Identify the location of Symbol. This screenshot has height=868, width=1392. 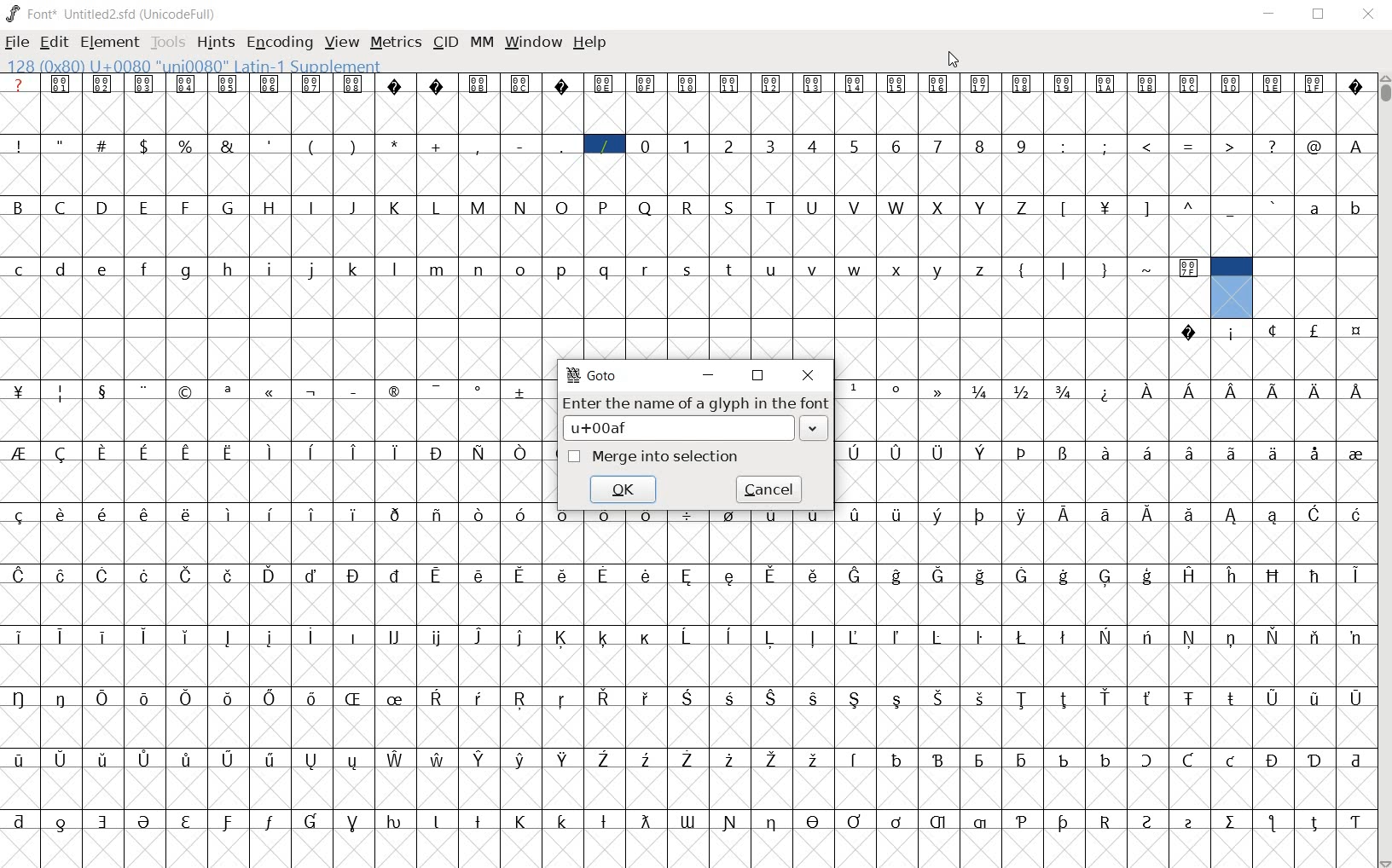
(811, 636).